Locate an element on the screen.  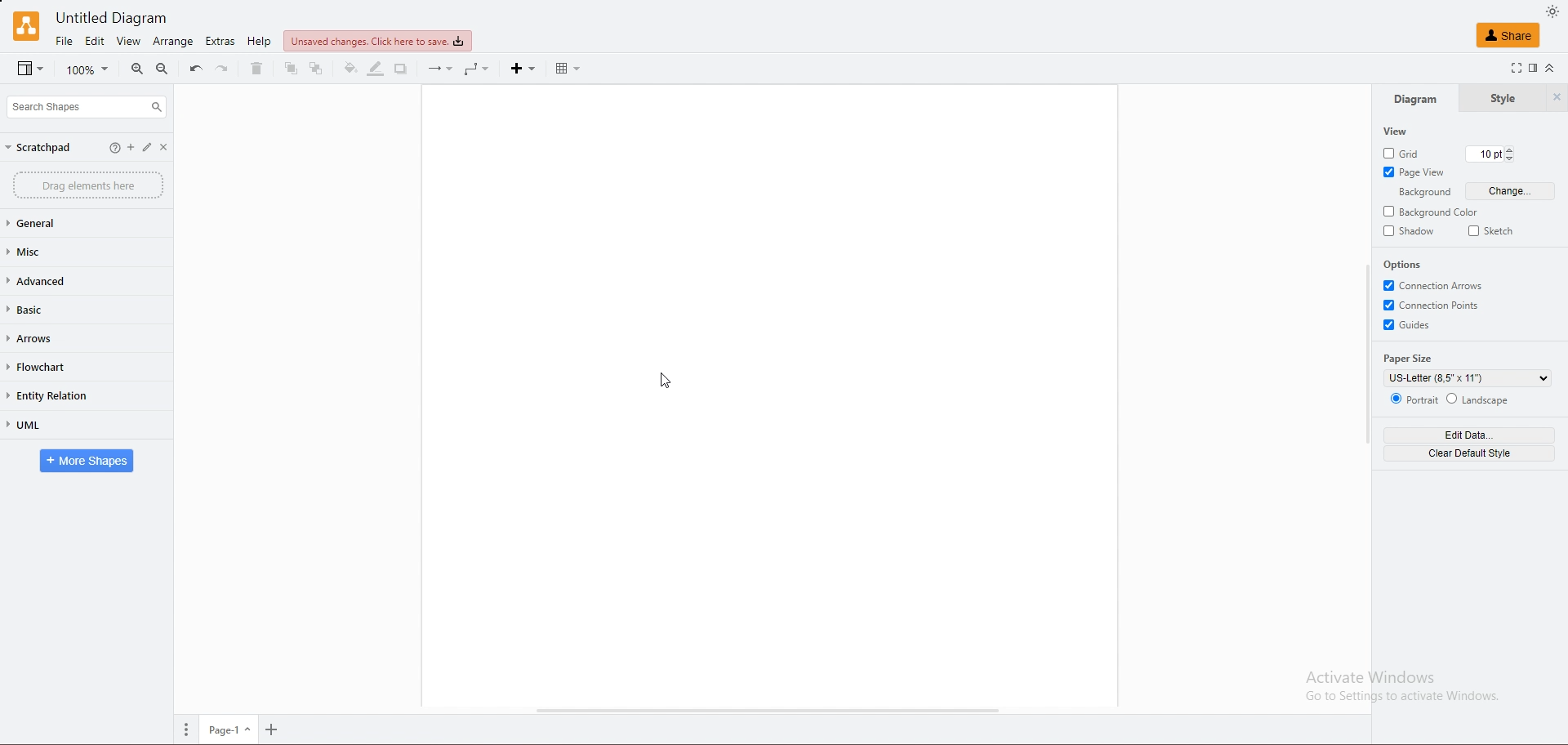
full screen is located at coordinates (1512, 69).